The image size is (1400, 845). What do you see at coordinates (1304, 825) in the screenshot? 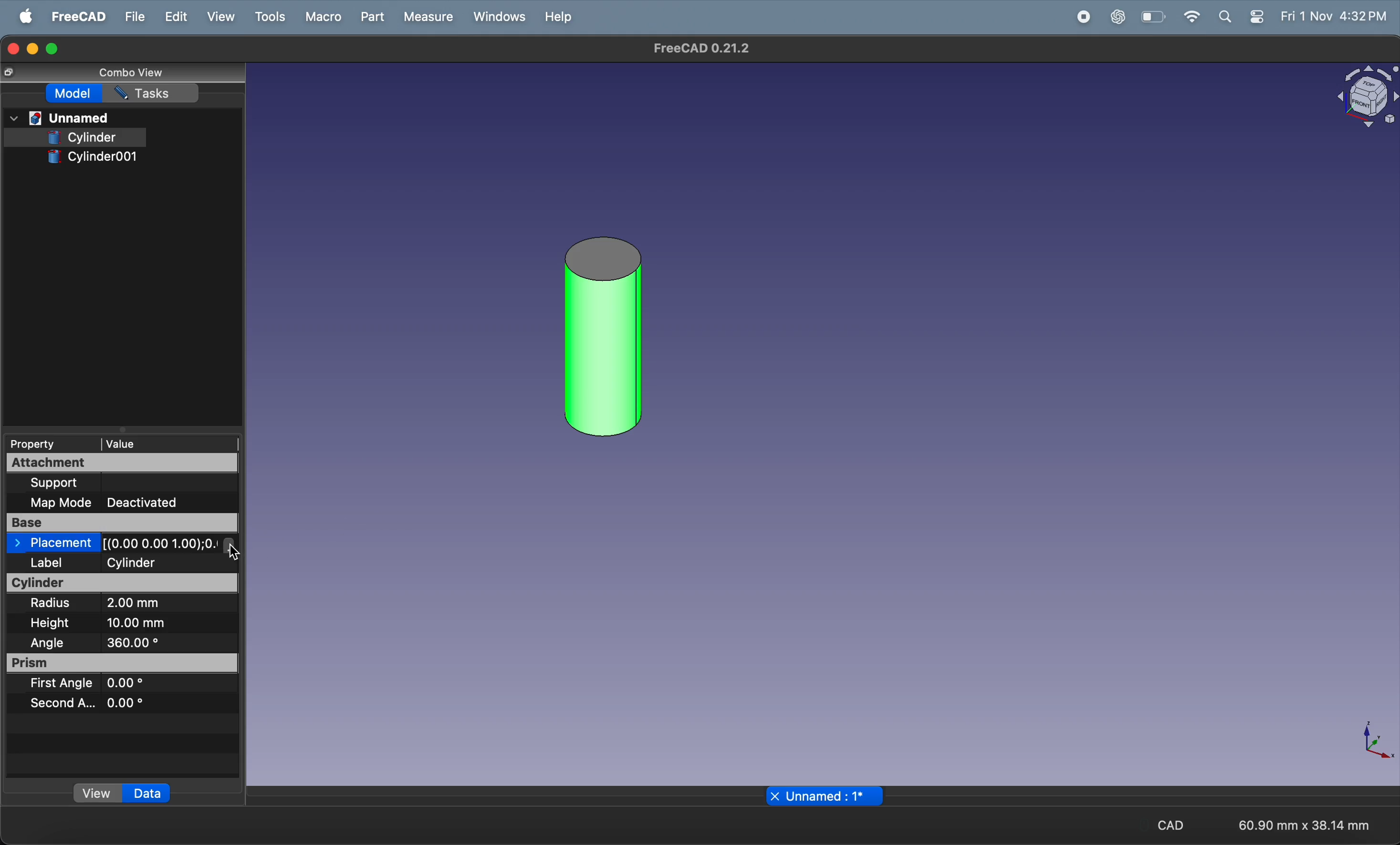
I see `60.90 mm x 38.14 mm` at bounding box center [1304, 825].